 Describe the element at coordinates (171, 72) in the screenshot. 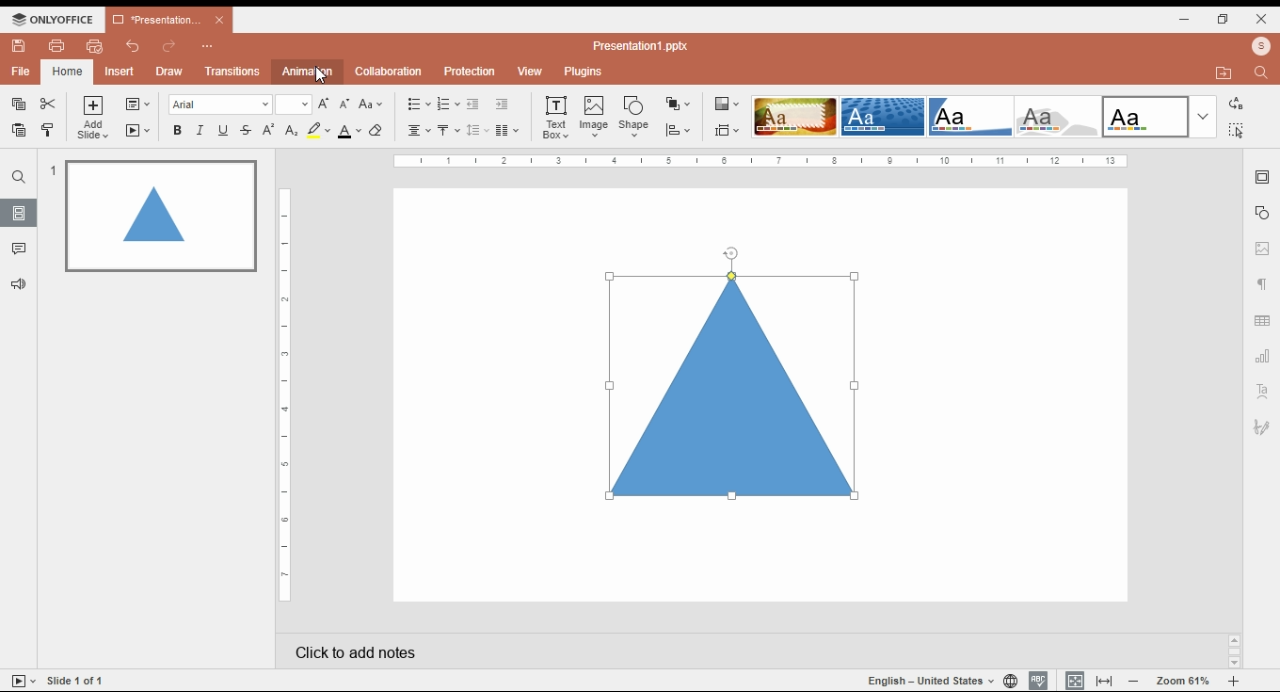

I see `draw` at that location.